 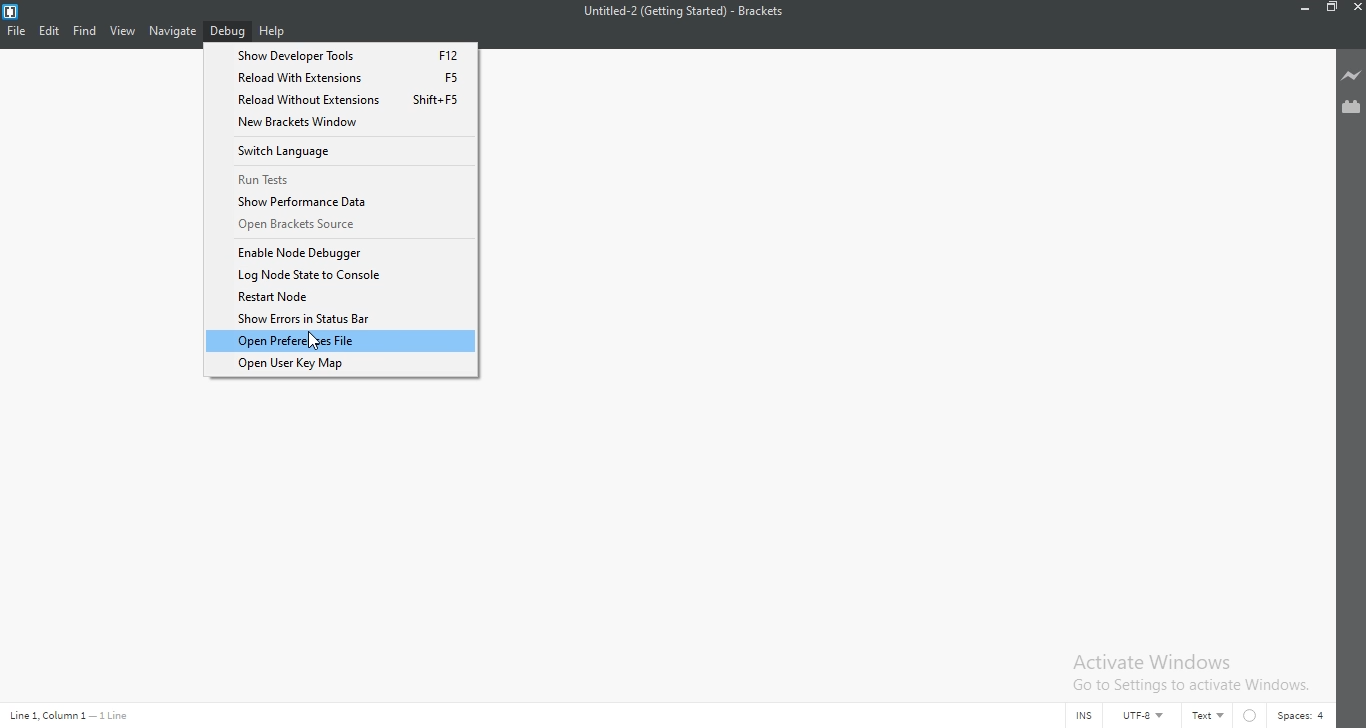 What do you see at coordinates (1306, 7) in the screenshot?
I see `minimize` at bounding box center [1306, 7].